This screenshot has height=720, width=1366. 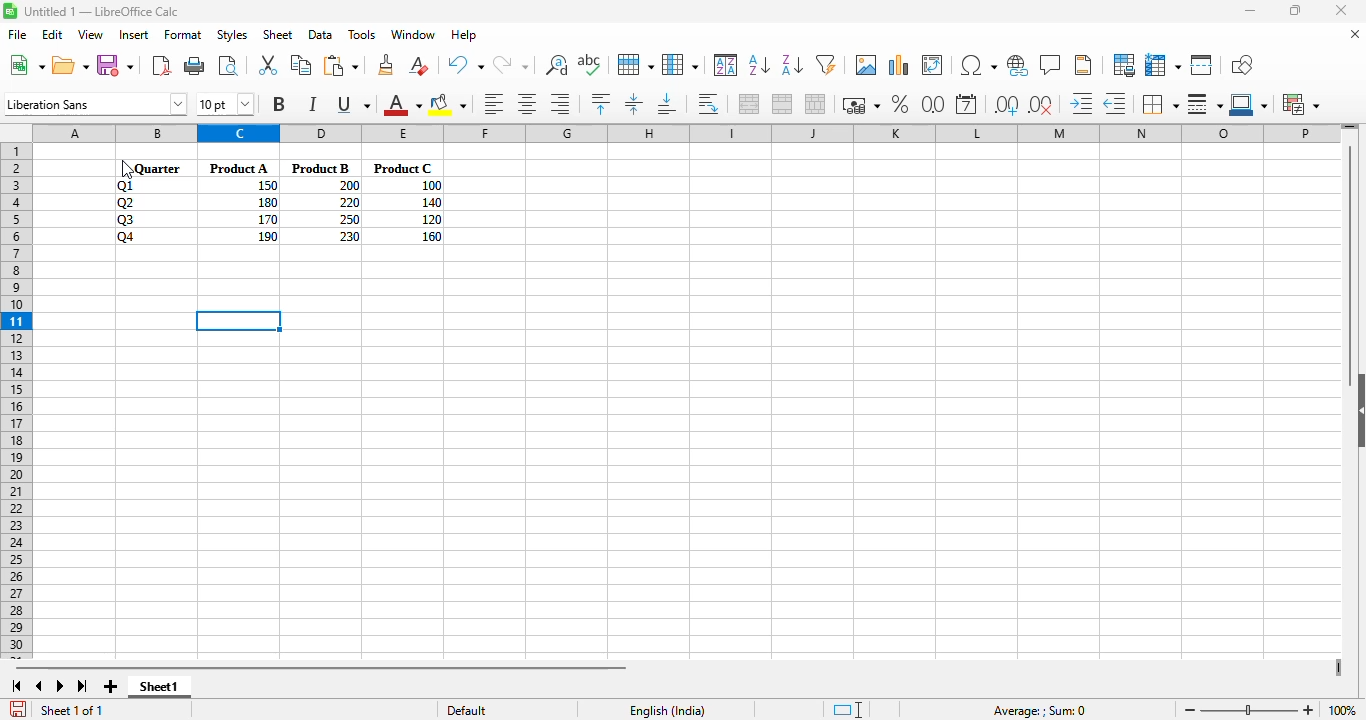 What do you see at coordinates (814, 103) in the screenshot?
I see `unmerge cells` at bounding box center [814, 103].